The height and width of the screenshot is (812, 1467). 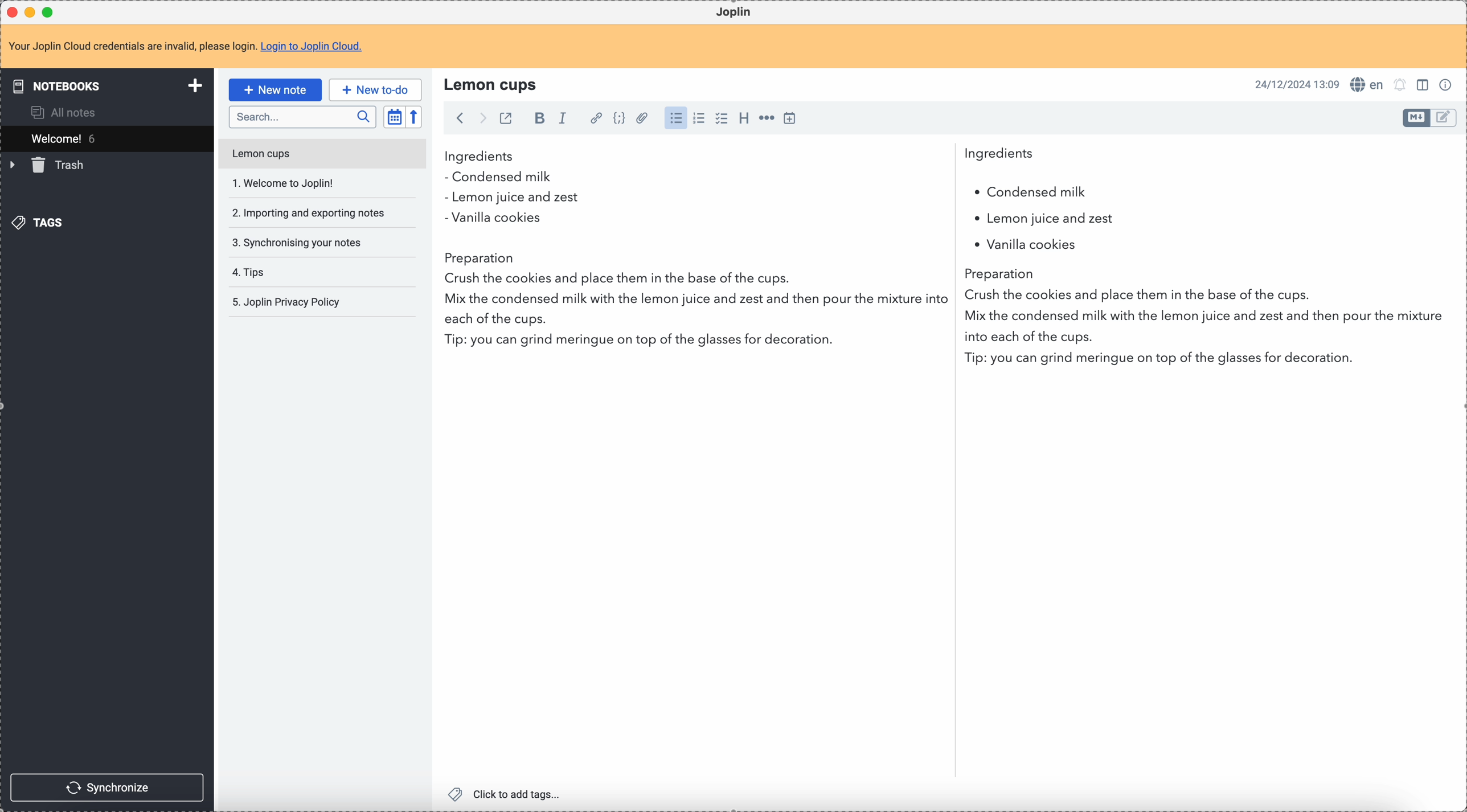 What do you see at coordinates (739, 157) in the screenshot?
I see `ingredients` at bounding box center [739, 157].